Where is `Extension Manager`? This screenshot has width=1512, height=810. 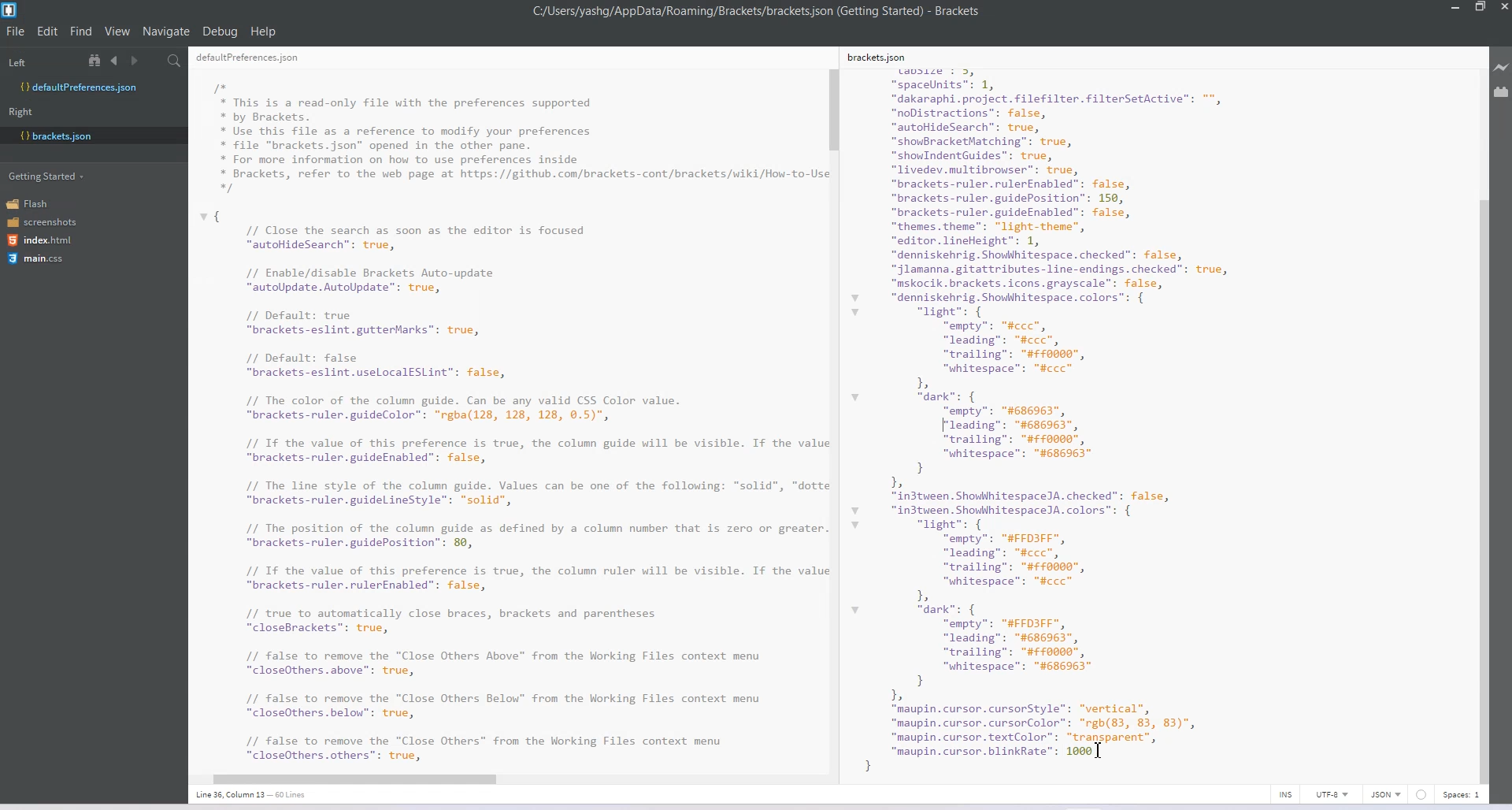 Extension Manager is located at coordinates (1502, 95).